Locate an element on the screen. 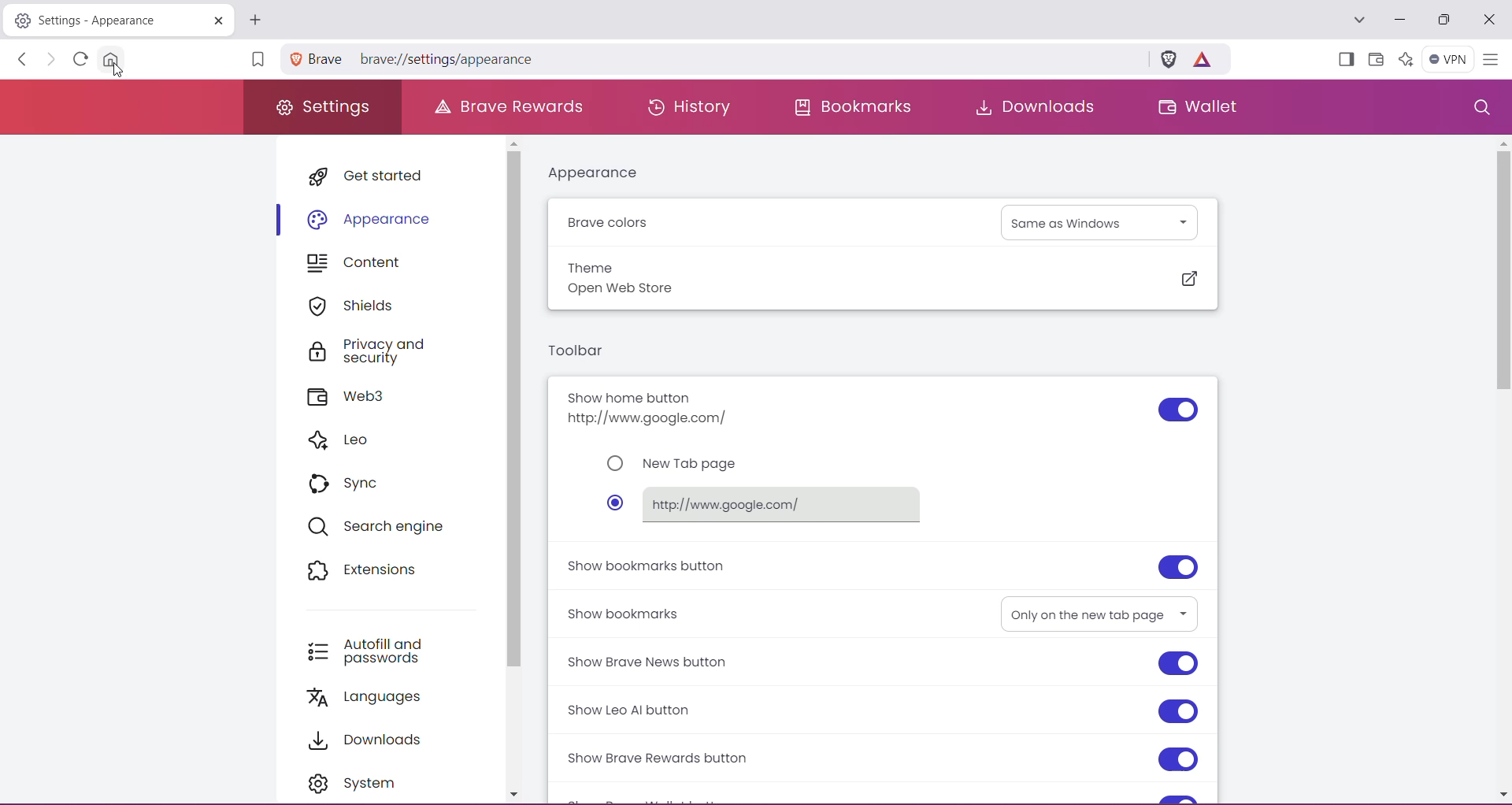 This screenshot has height=805, width=1512. Earn tokens for private ads you see in Brave is located at coordinates (1202, 58).